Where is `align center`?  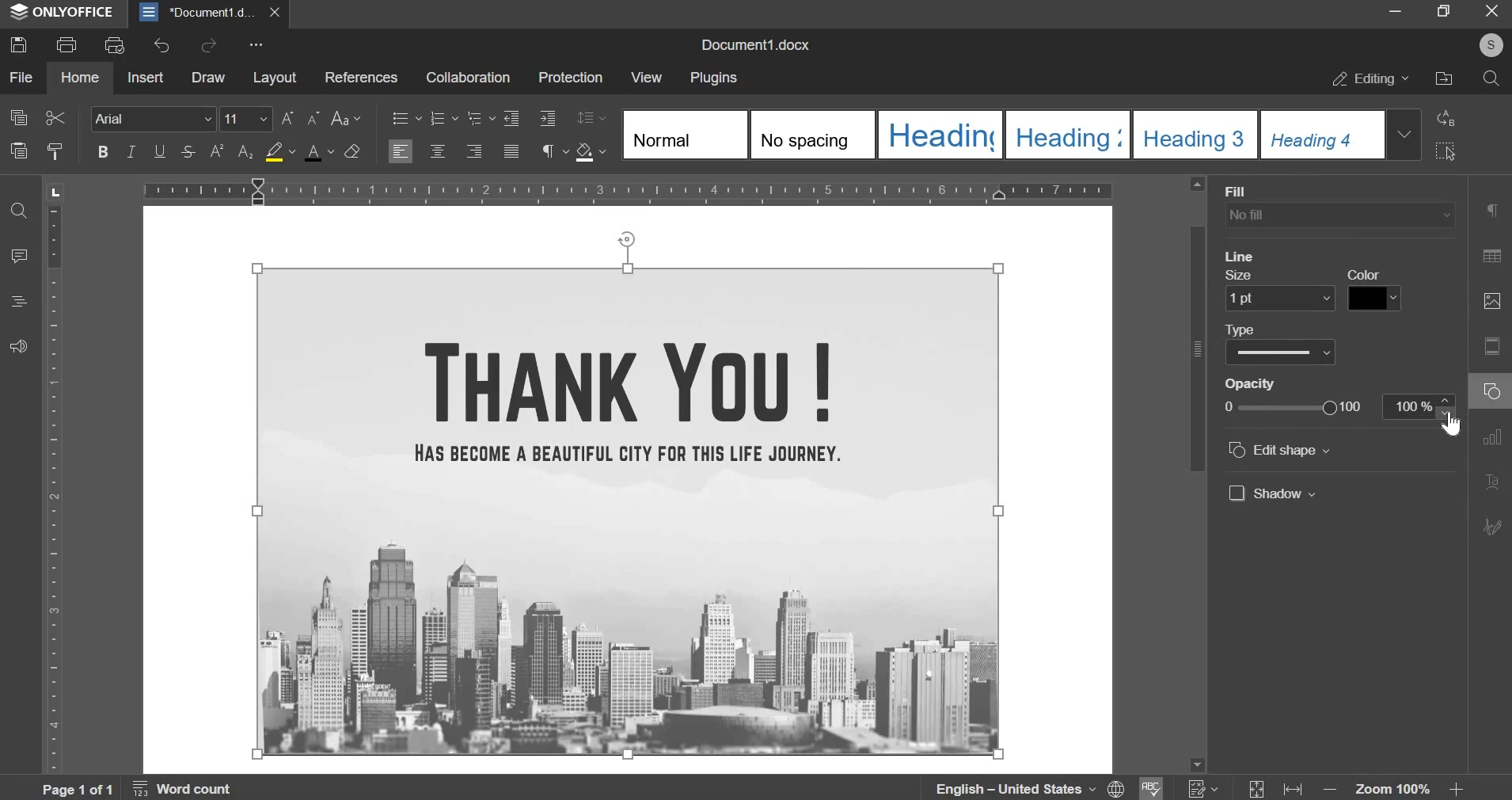 align center is located at coordinates (438, 150).